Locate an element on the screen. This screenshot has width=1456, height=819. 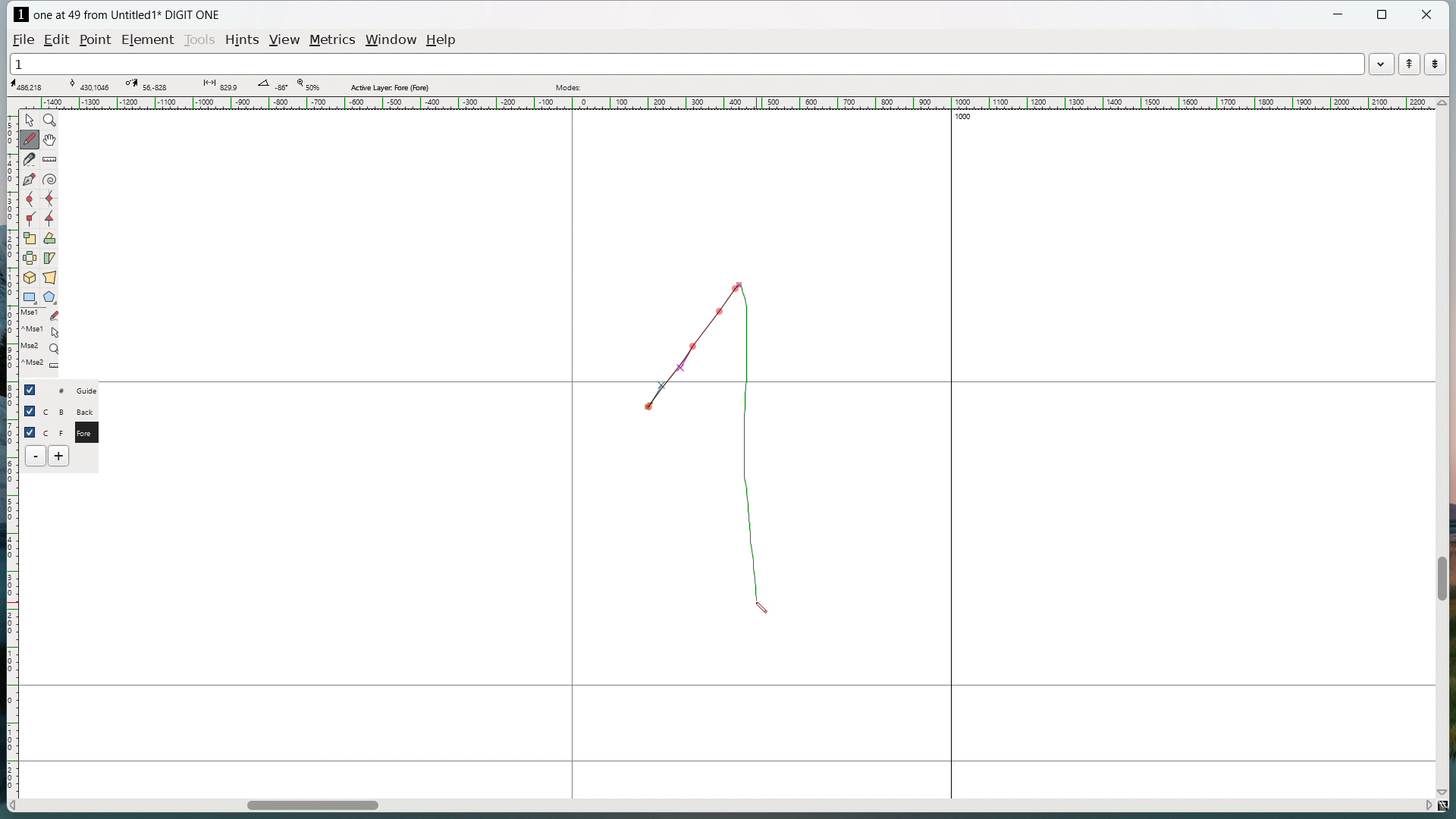
checkbox is located at coordinates (33, 389).